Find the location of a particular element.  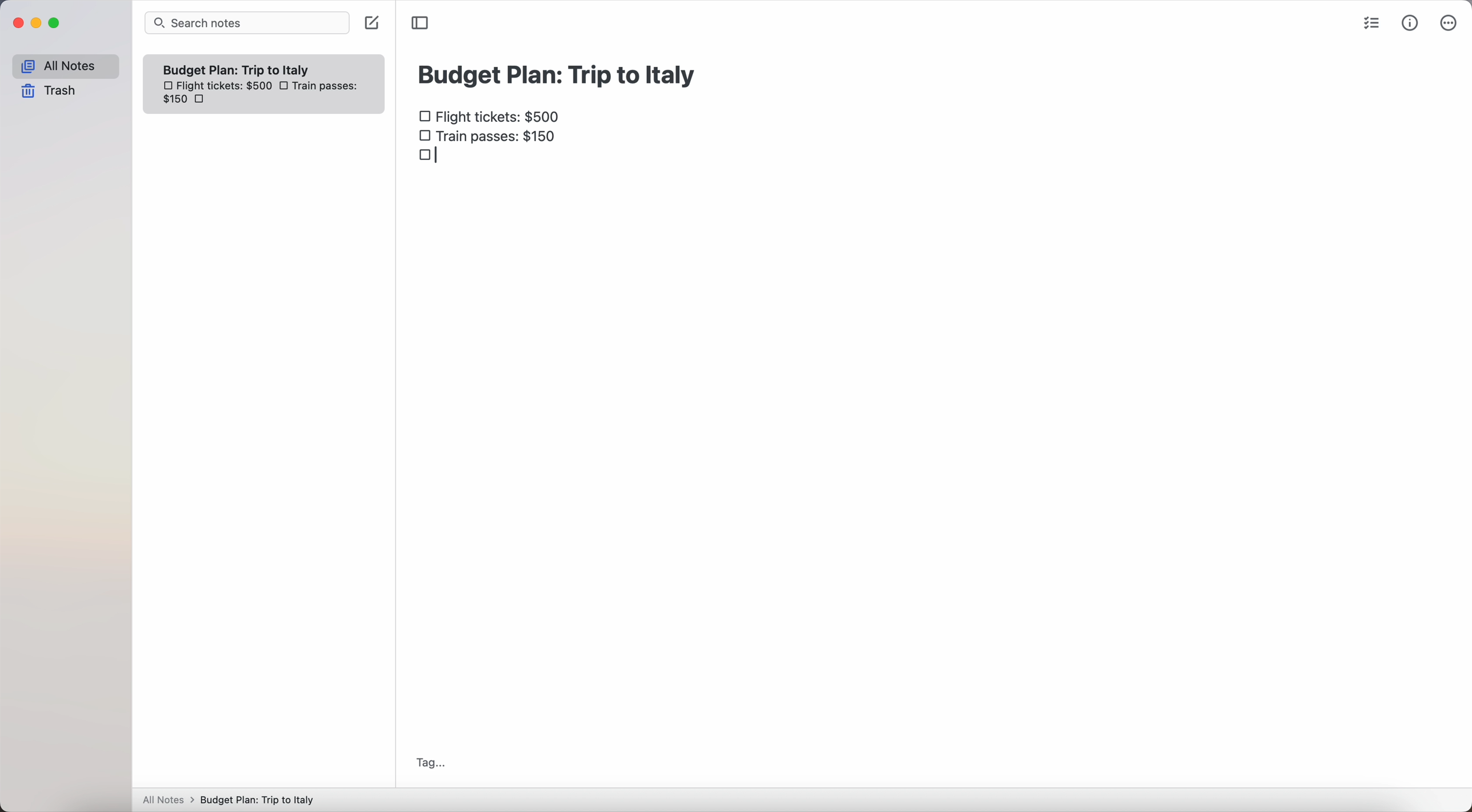

Budget plan trip to Italy note is located at coordinates (238, 69).